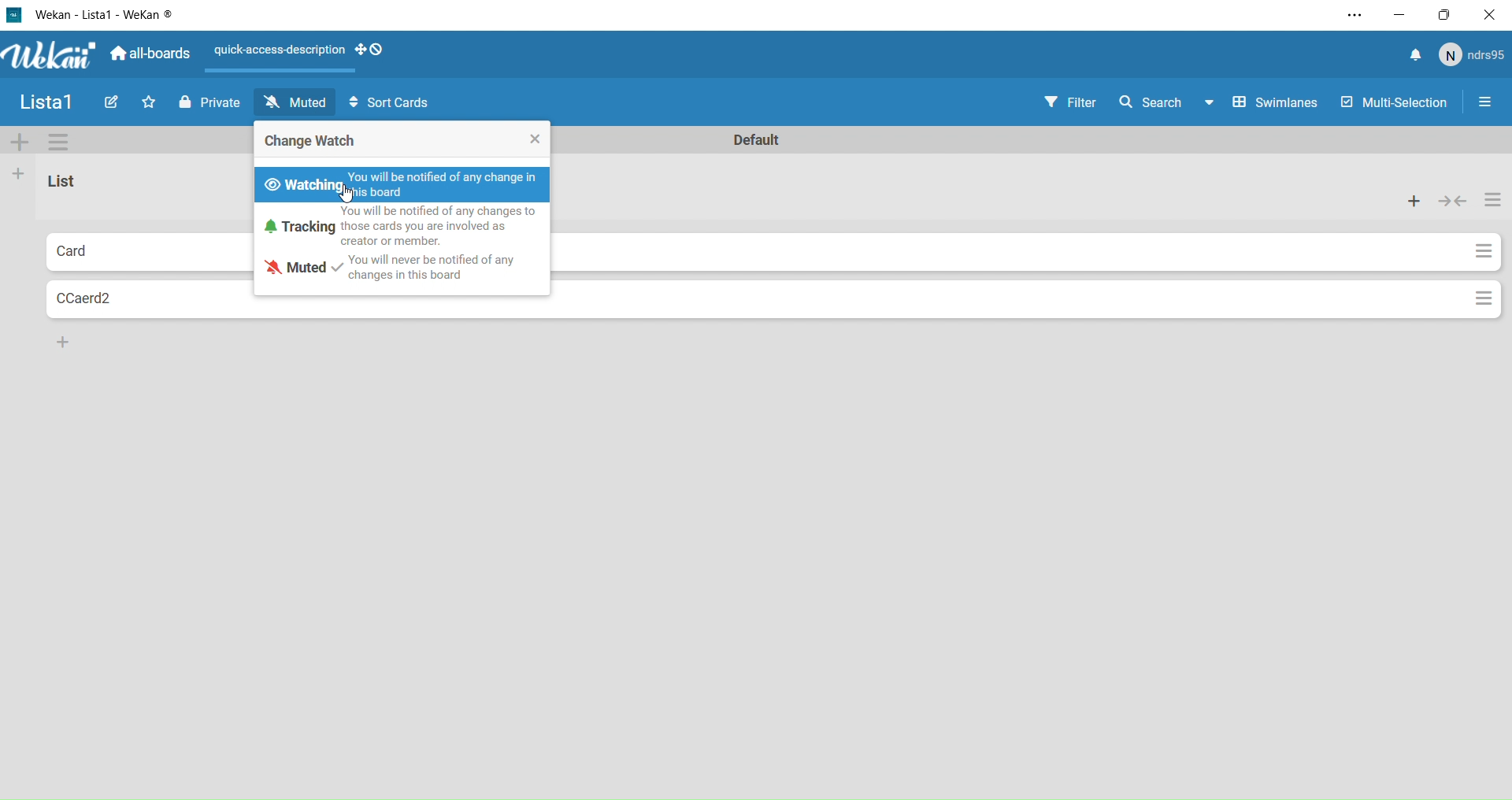 The width and height of the screenshot is (1512, 800). Describe the element at coordinates (20, 142) in the screenshot. I see `More` at that location.